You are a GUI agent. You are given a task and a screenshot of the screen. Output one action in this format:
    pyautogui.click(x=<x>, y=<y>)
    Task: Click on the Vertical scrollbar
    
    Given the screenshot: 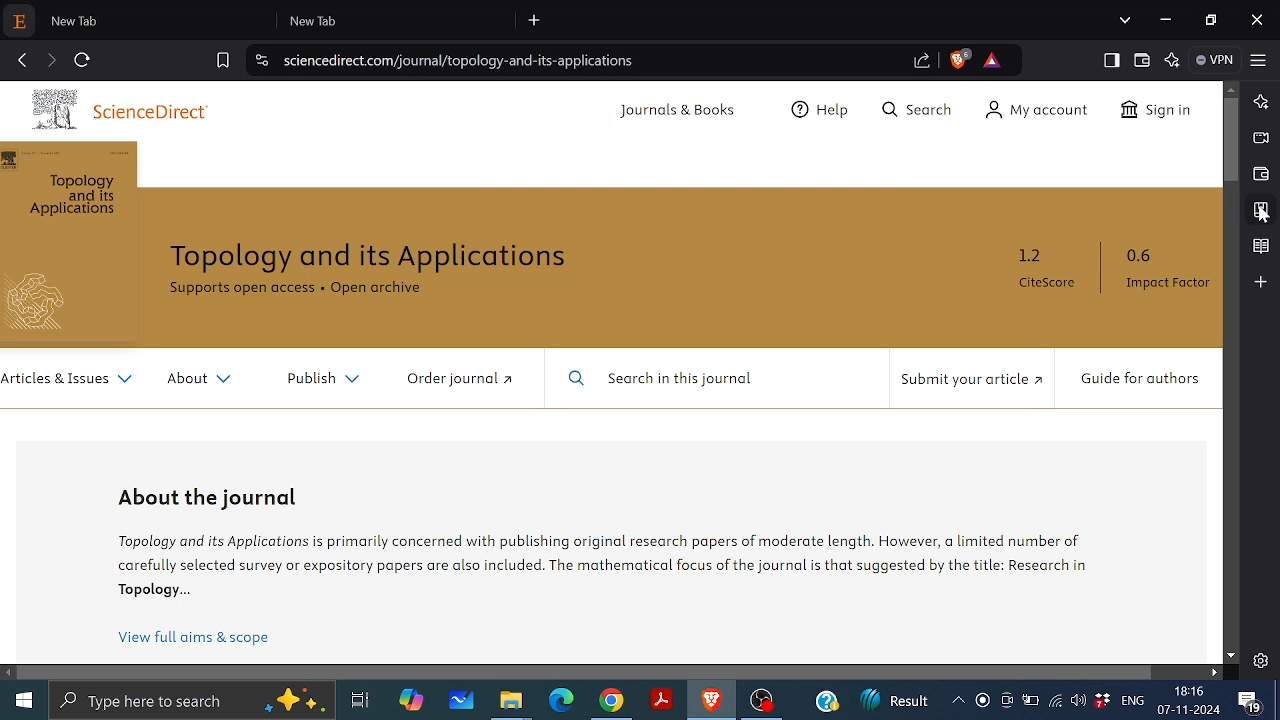 What is the action you would take?
    pyautogui.click(x=1231, y=140)
    